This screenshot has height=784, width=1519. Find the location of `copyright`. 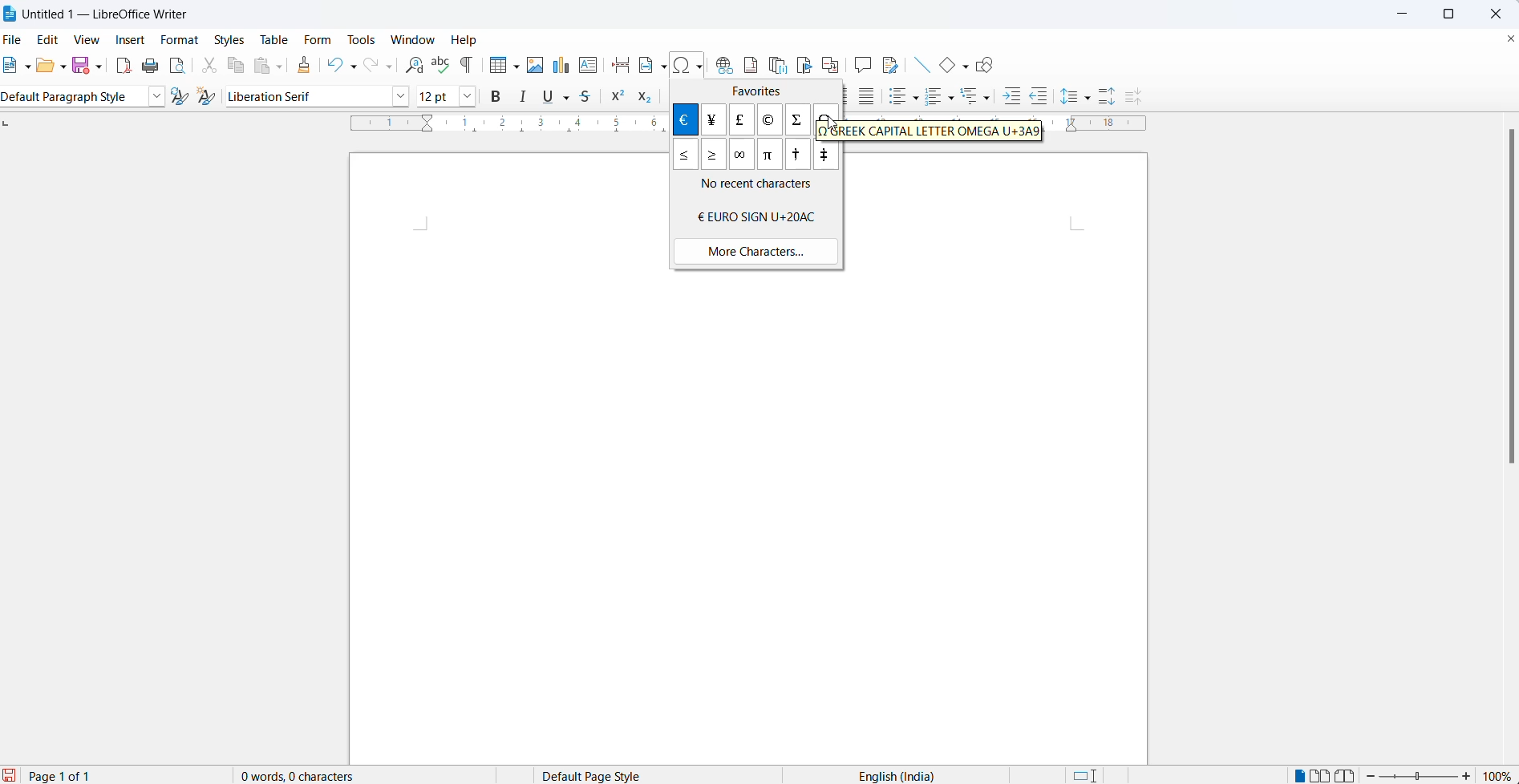

copyright is located at coordinates (768, 121).